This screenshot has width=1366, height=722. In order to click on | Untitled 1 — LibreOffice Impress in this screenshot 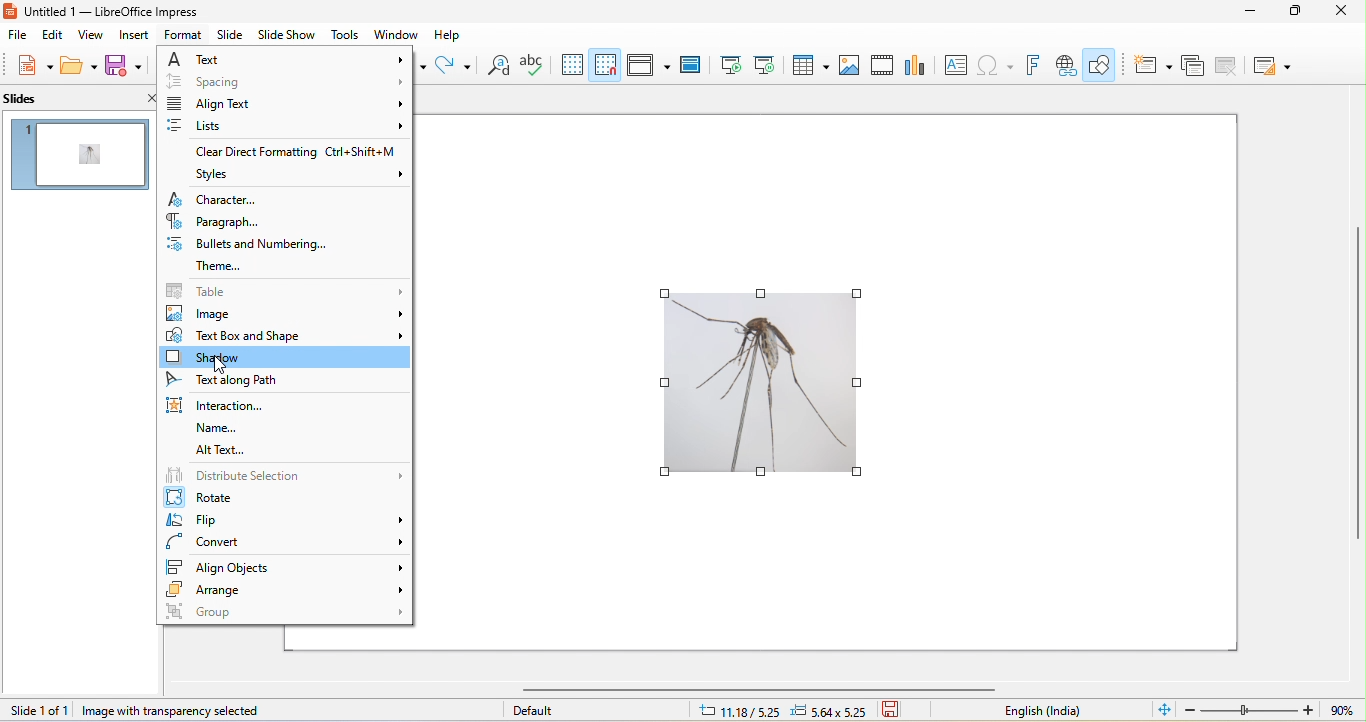, I will do `click(112, 12)`.